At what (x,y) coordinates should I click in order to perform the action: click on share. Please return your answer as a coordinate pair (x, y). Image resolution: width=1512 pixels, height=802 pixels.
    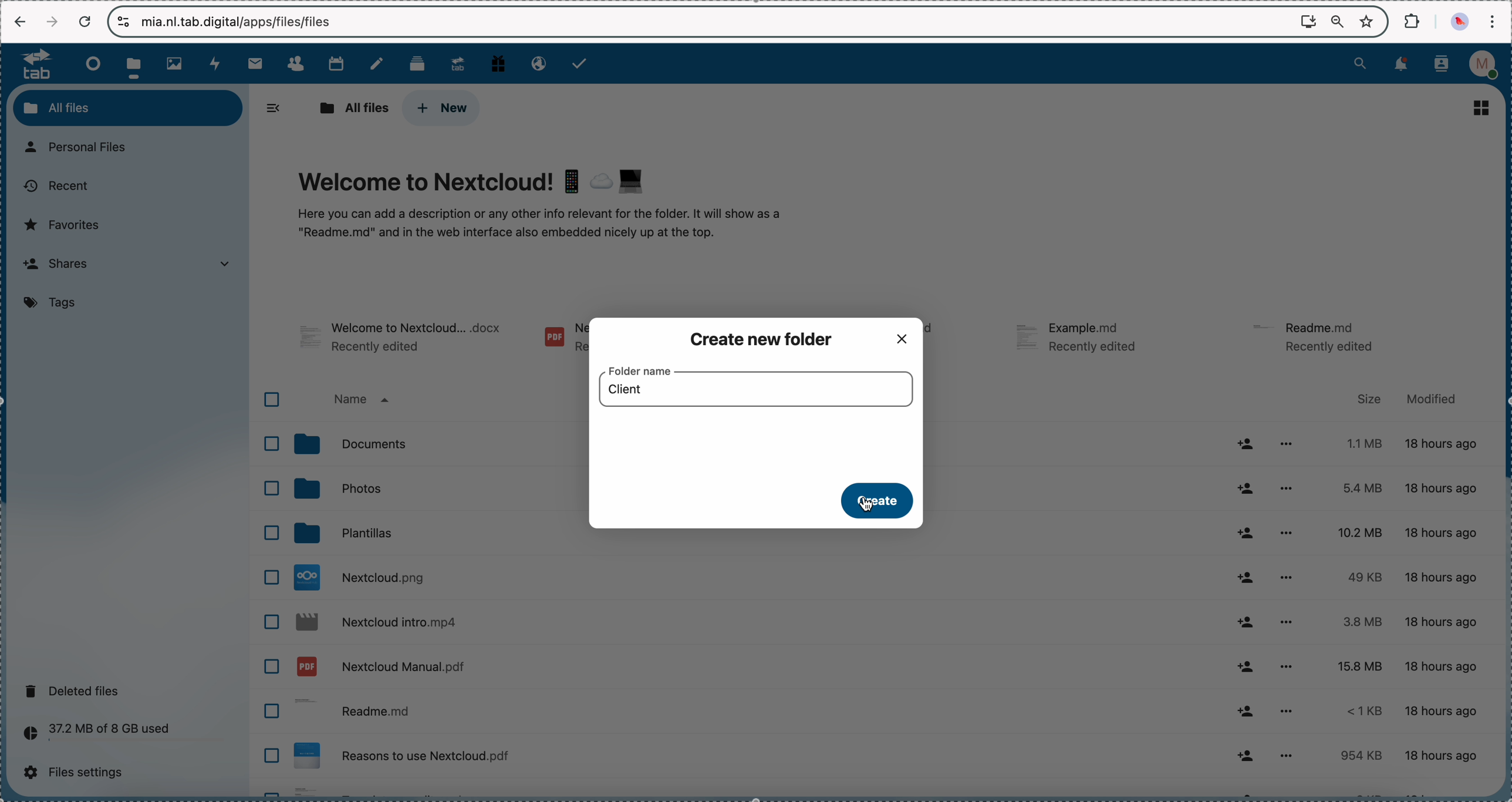
    Looking at the image, I should click on (1245, 754).